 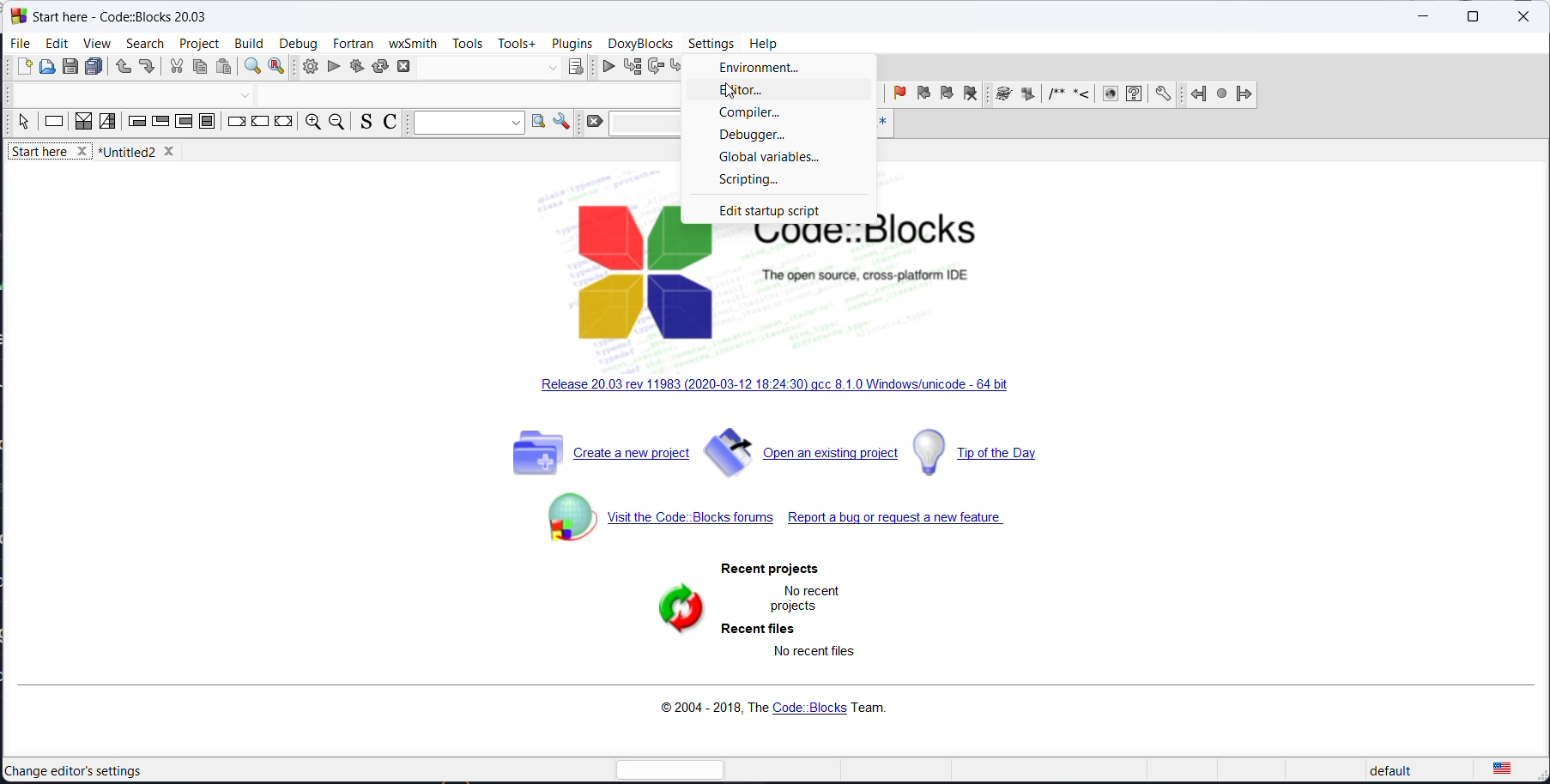 What do you see at coordinates (774, 157) in the screenshot?
I see `global variables` at bounding box center [774, 157].